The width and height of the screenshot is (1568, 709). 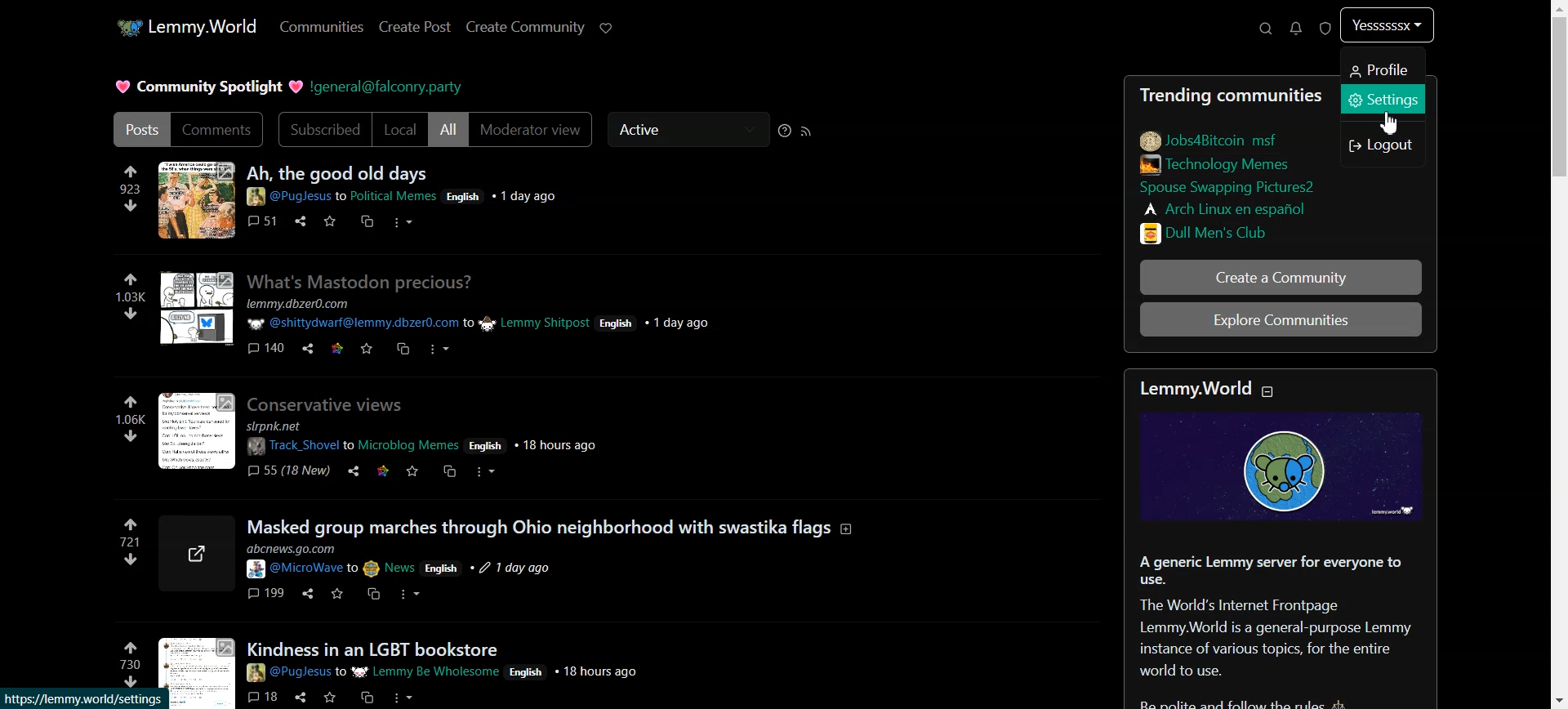 I want to click on comments, so click(x=264, y=221).